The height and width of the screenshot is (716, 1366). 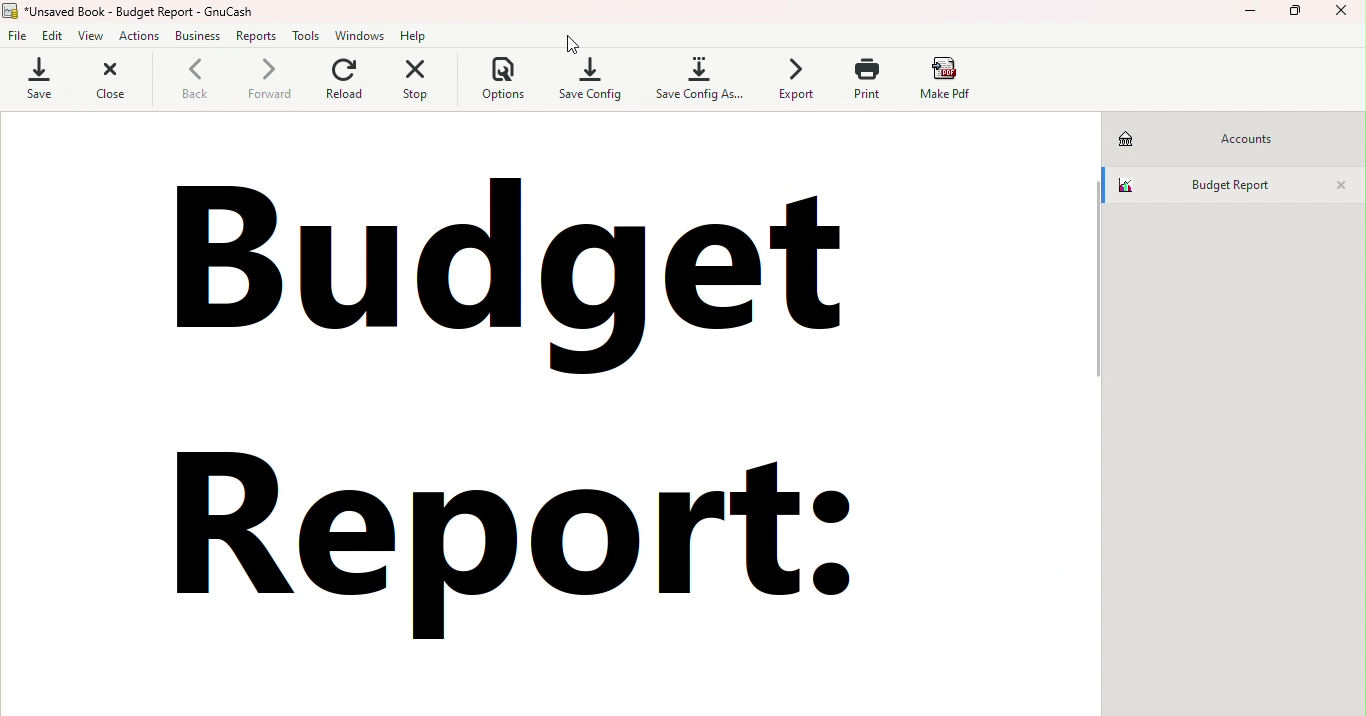 What do you see at coordinates (110, 83) in the screenshot?
I see `Close` at bounding box center [110, 83].